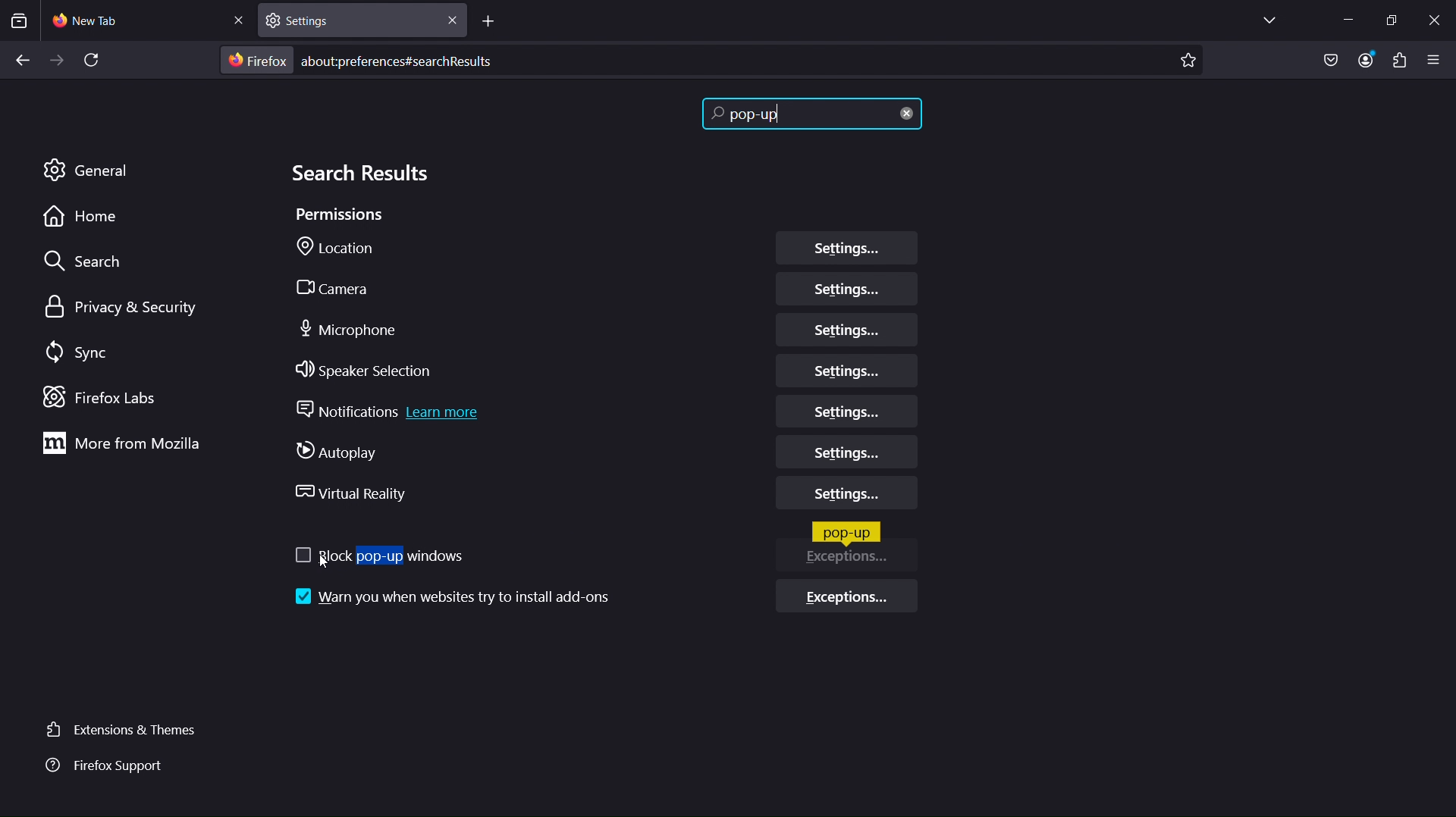  Describe the element at coordinates (1399, 60) in the screenshot. I see `Plugins` at that location.